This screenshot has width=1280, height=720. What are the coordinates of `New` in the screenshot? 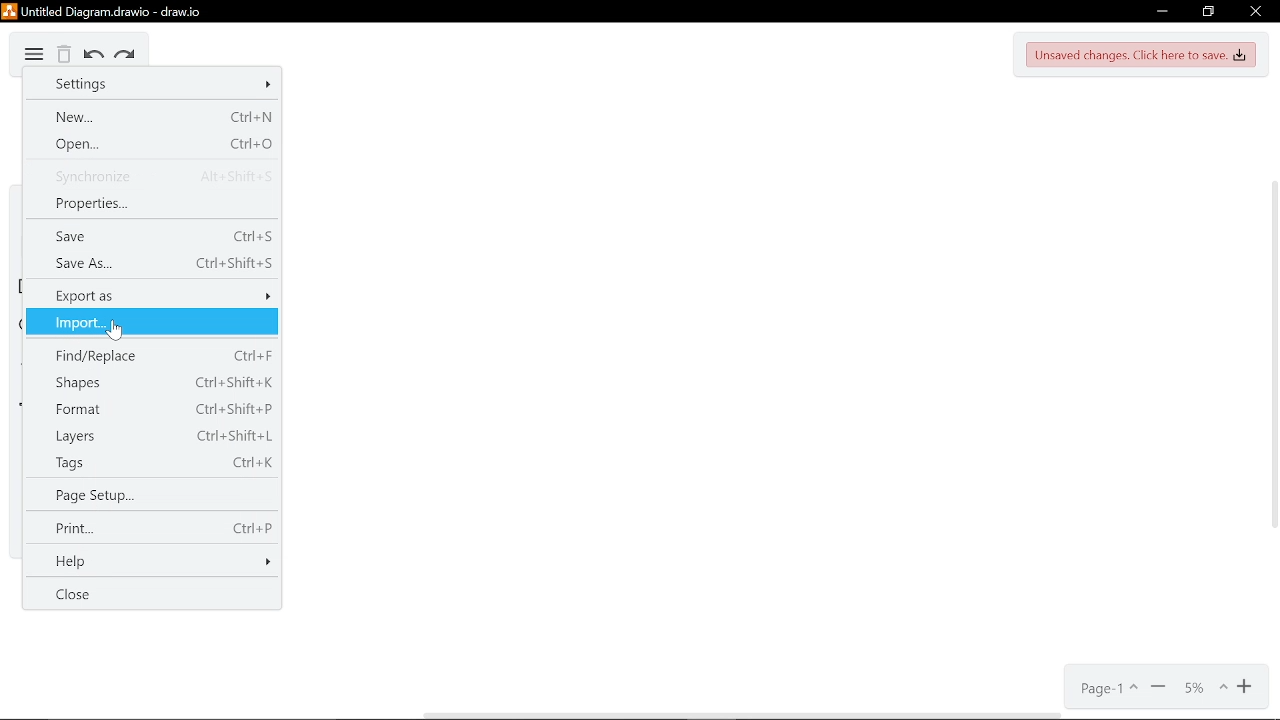 It's located at (150, 116).